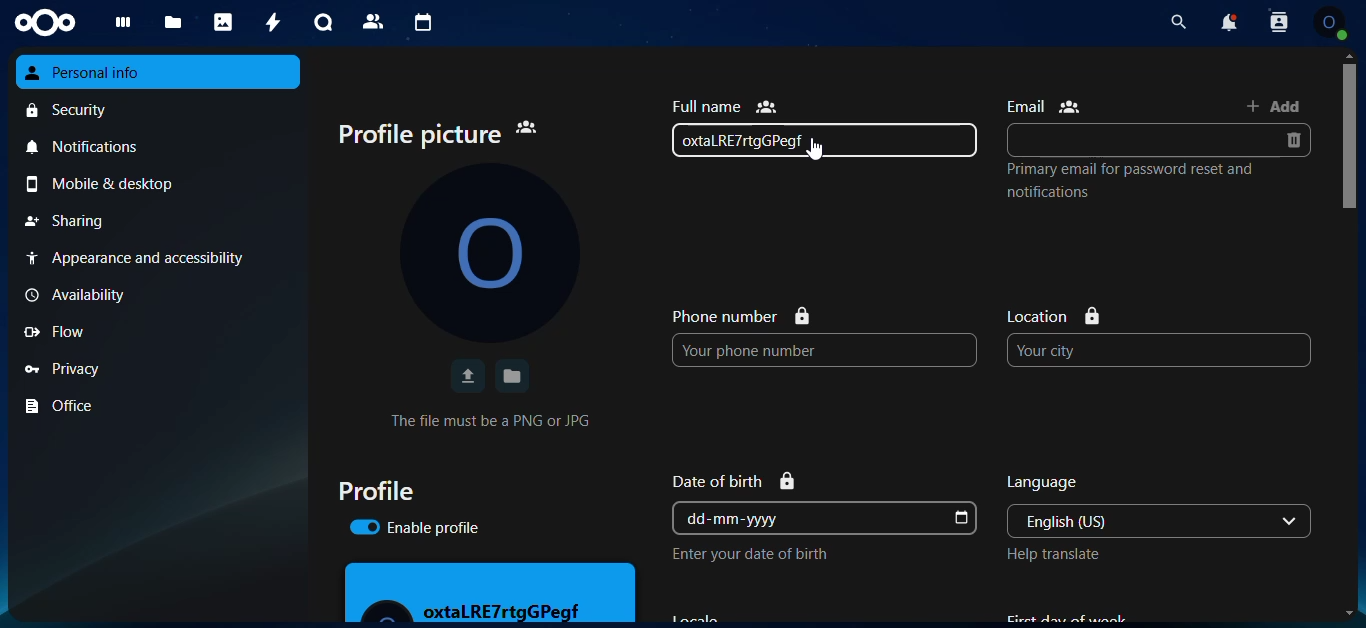 The height and width of the screenshot is (628, 1366). I want to click on delete, so click(1292, 140).